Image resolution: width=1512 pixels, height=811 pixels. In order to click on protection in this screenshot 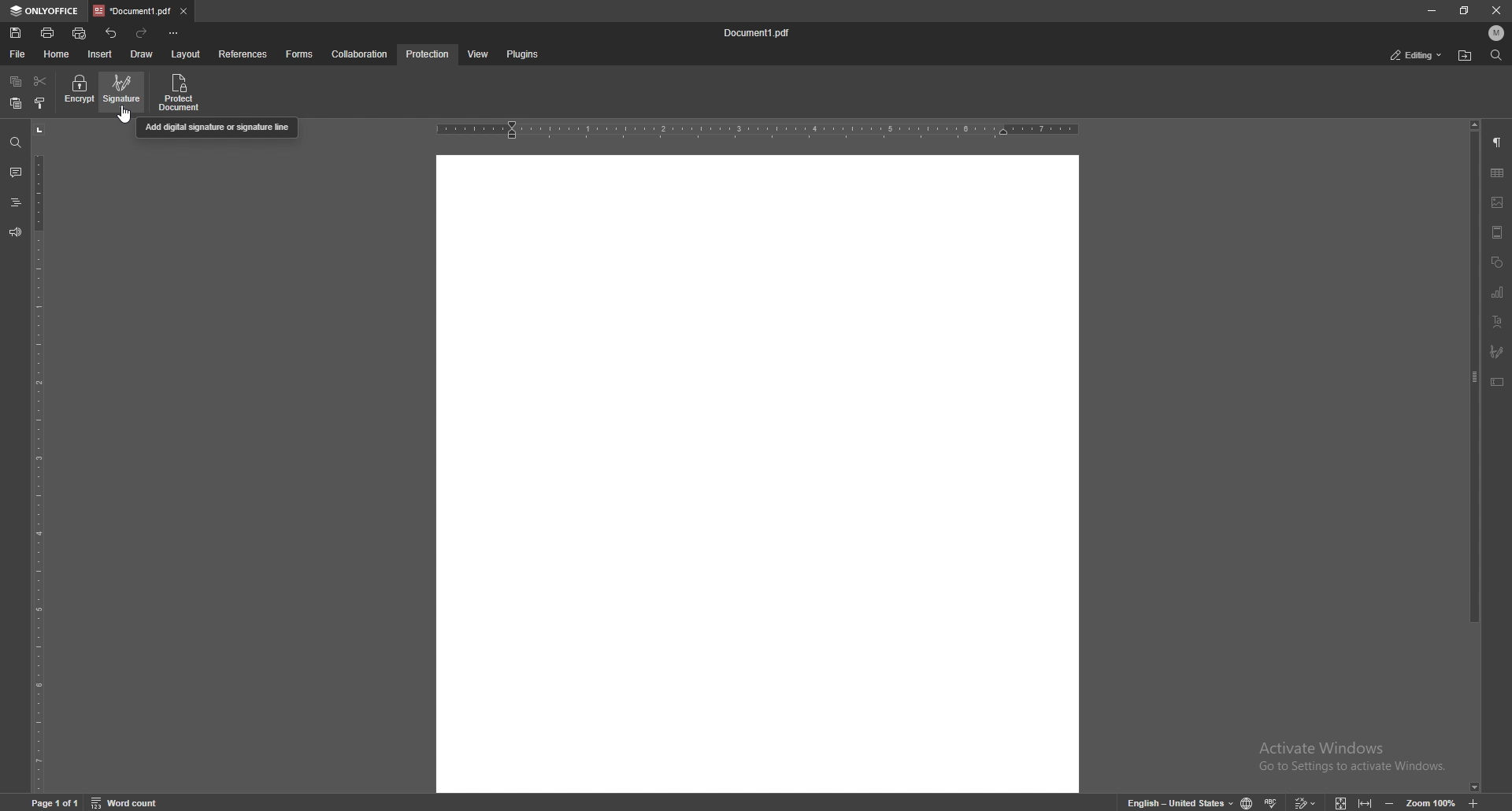, I will do `click(428, 54)`.